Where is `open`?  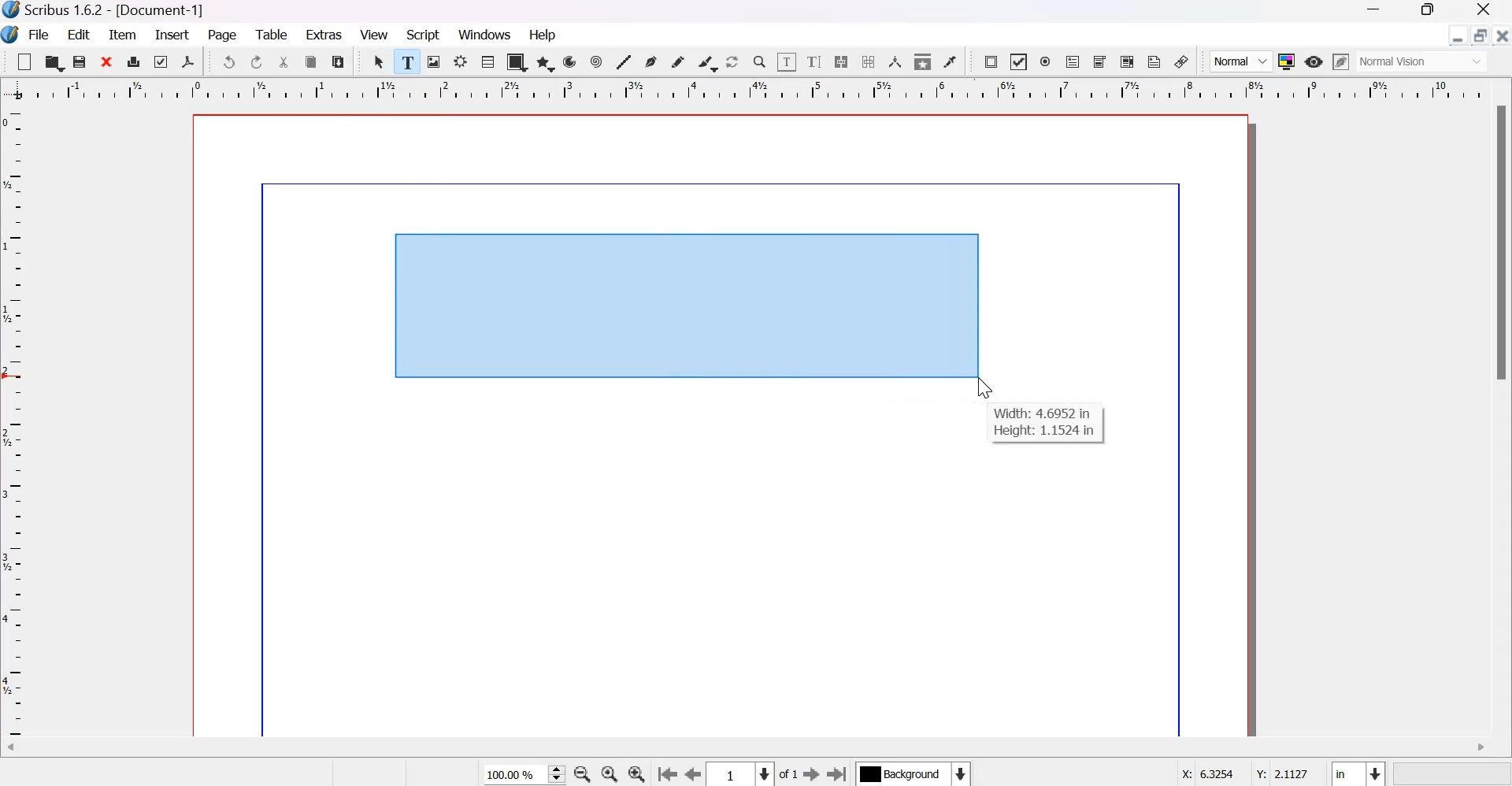 open is located at coordinates (53, 61).